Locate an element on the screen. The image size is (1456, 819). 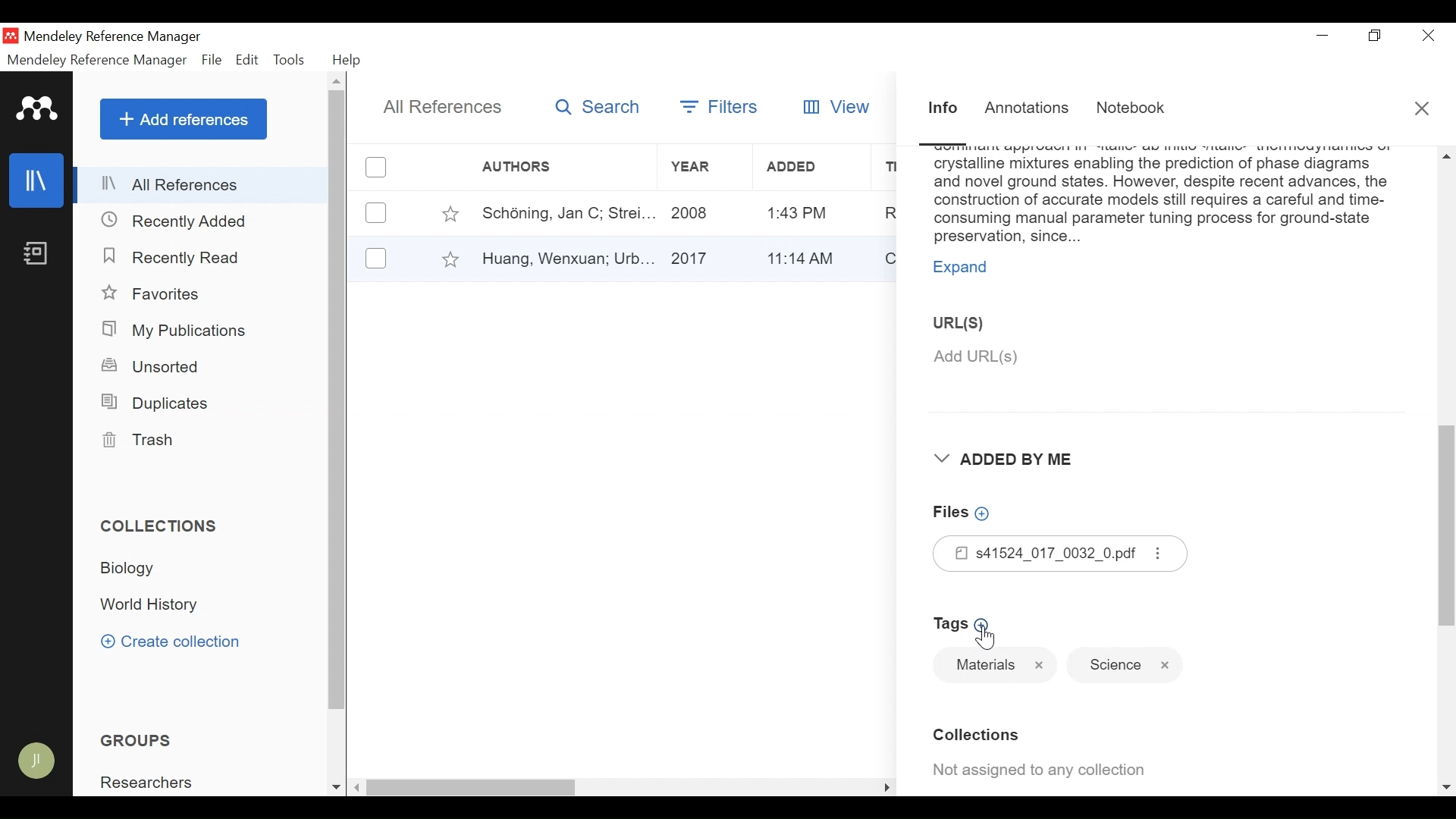
Not assigned to any collection is located at coordinates (1040, 771).